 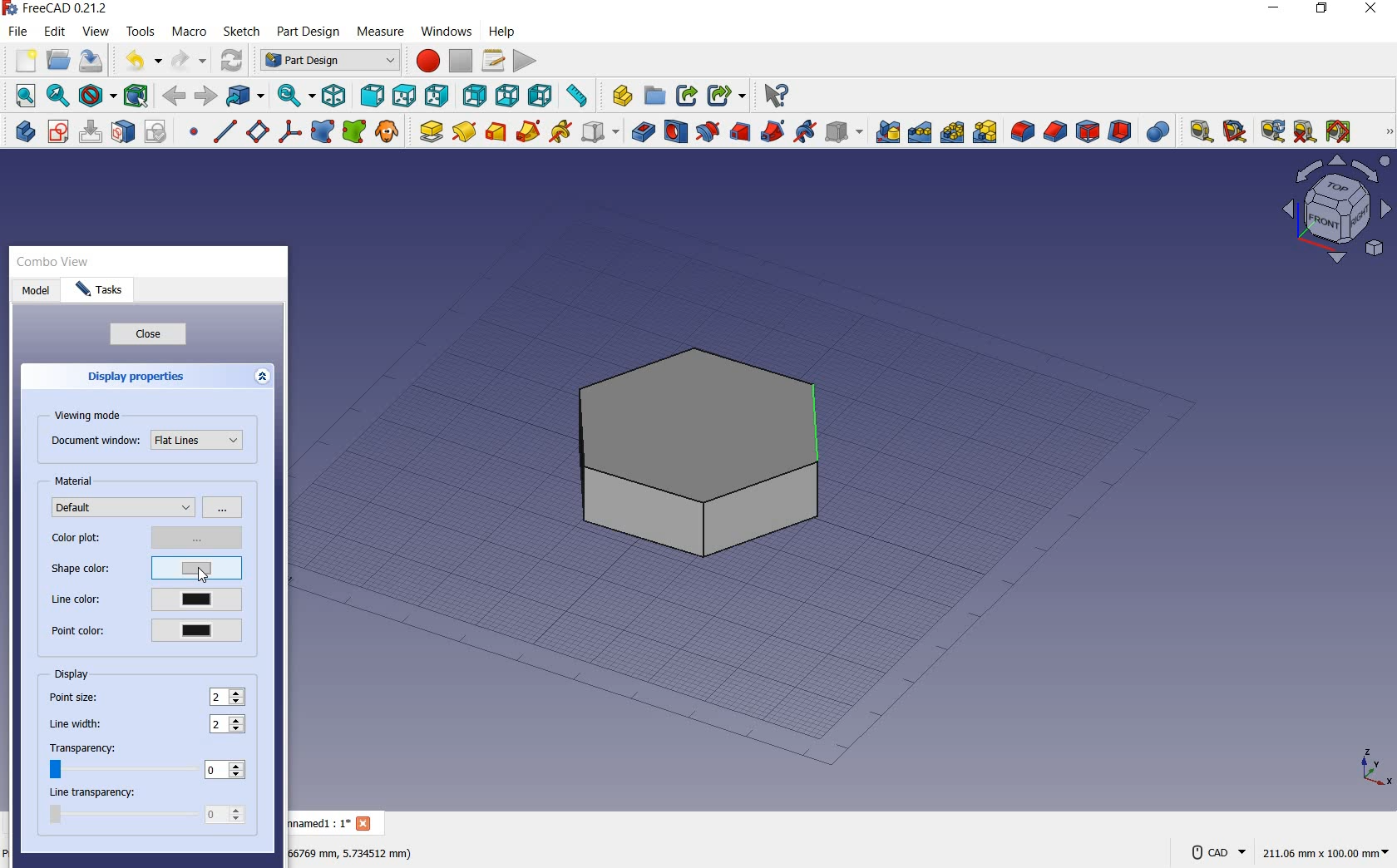 I want to click on shape color, so click(x=81, y=570).